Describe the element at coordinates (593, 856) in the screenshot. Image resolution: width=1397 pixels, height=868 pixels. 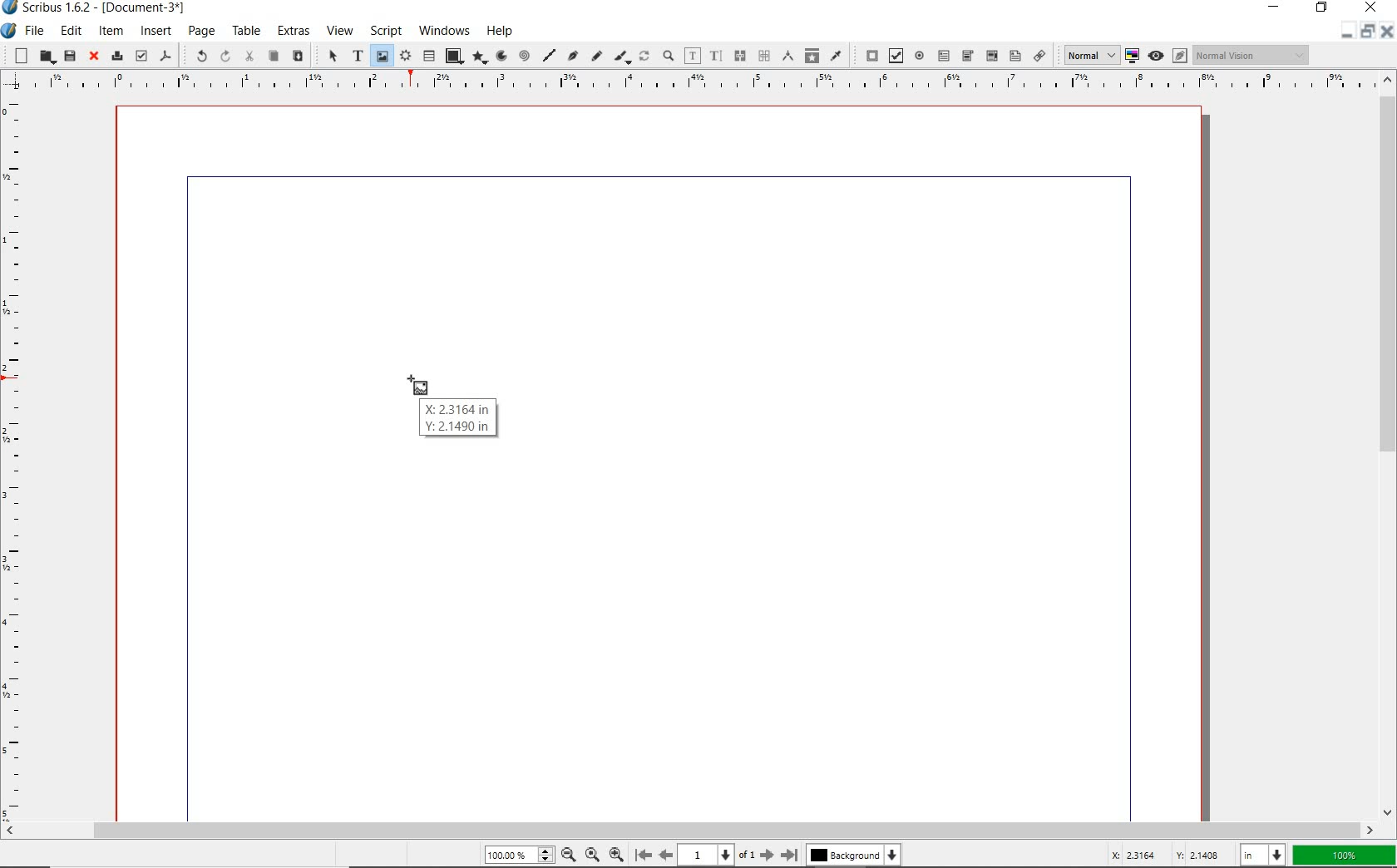
I see `zoom to` at that location.